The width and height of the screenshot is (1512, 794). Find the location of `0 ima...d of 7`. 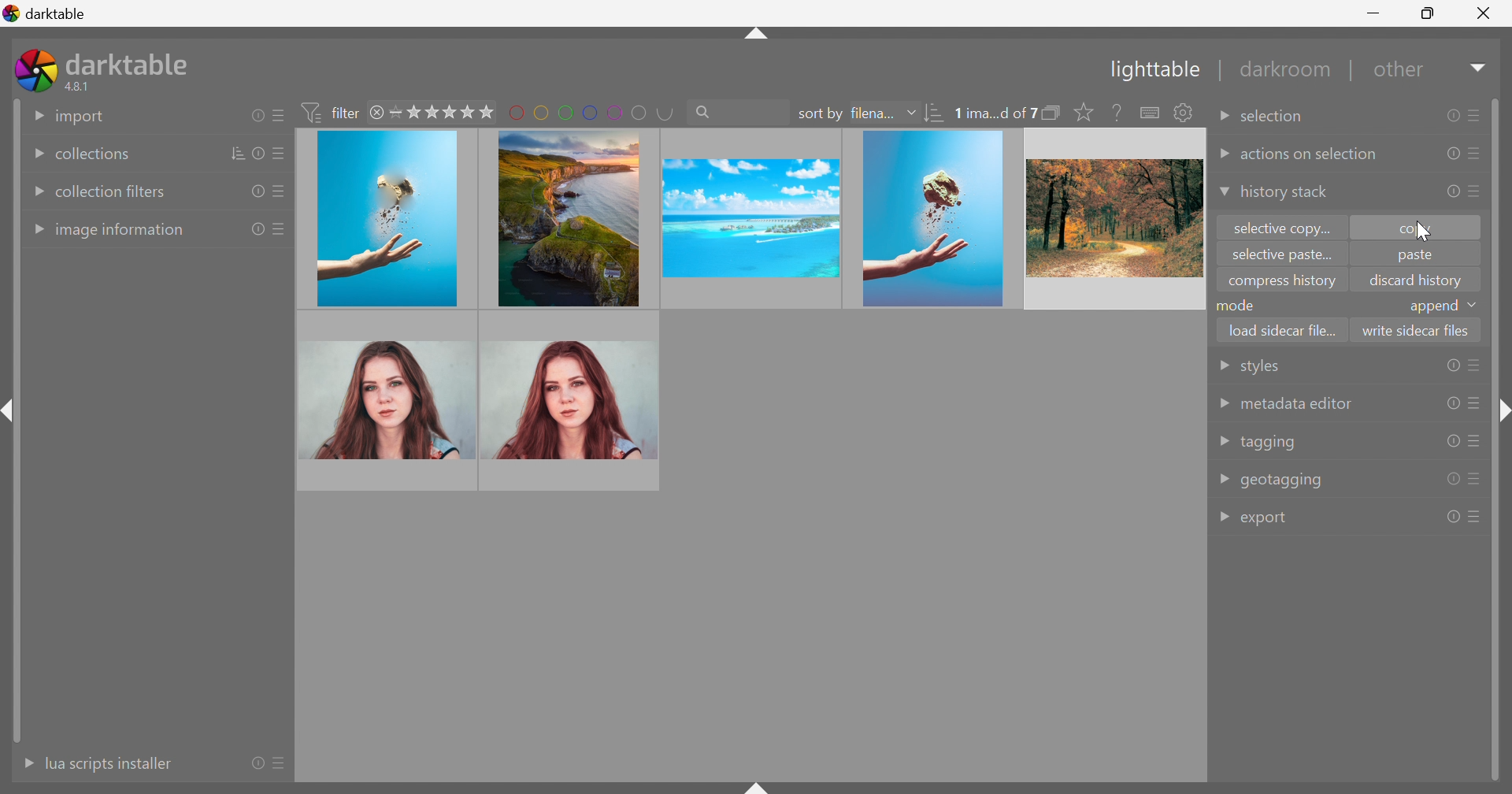

0 ima...d of 7 is located at coordinates (995, 113).